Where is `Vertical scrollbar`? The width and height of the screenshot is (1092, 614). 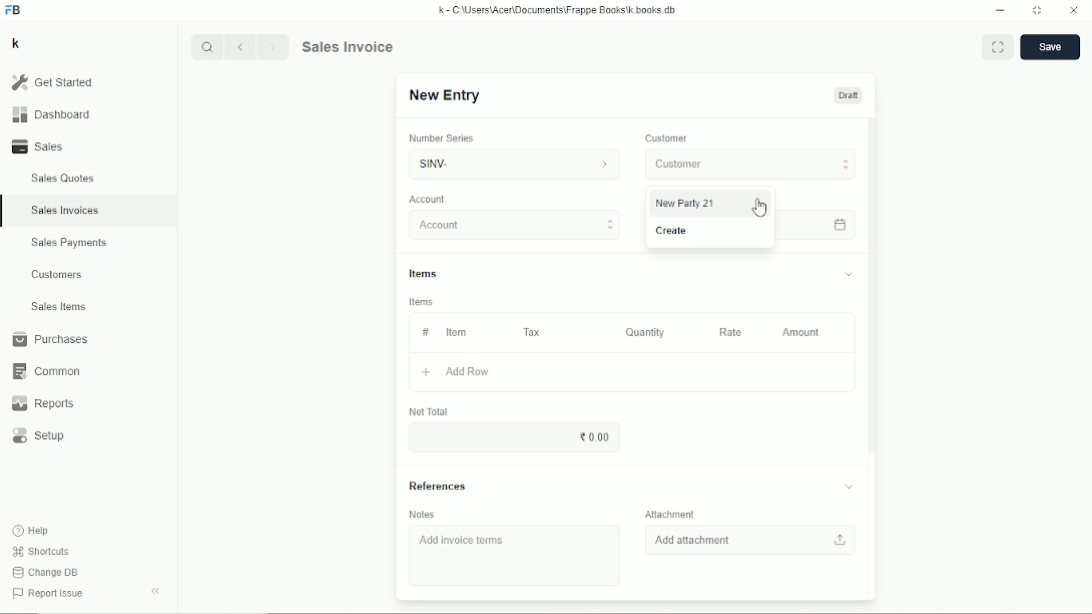
Vertical scrollbar is located at coordinates (874, 283).